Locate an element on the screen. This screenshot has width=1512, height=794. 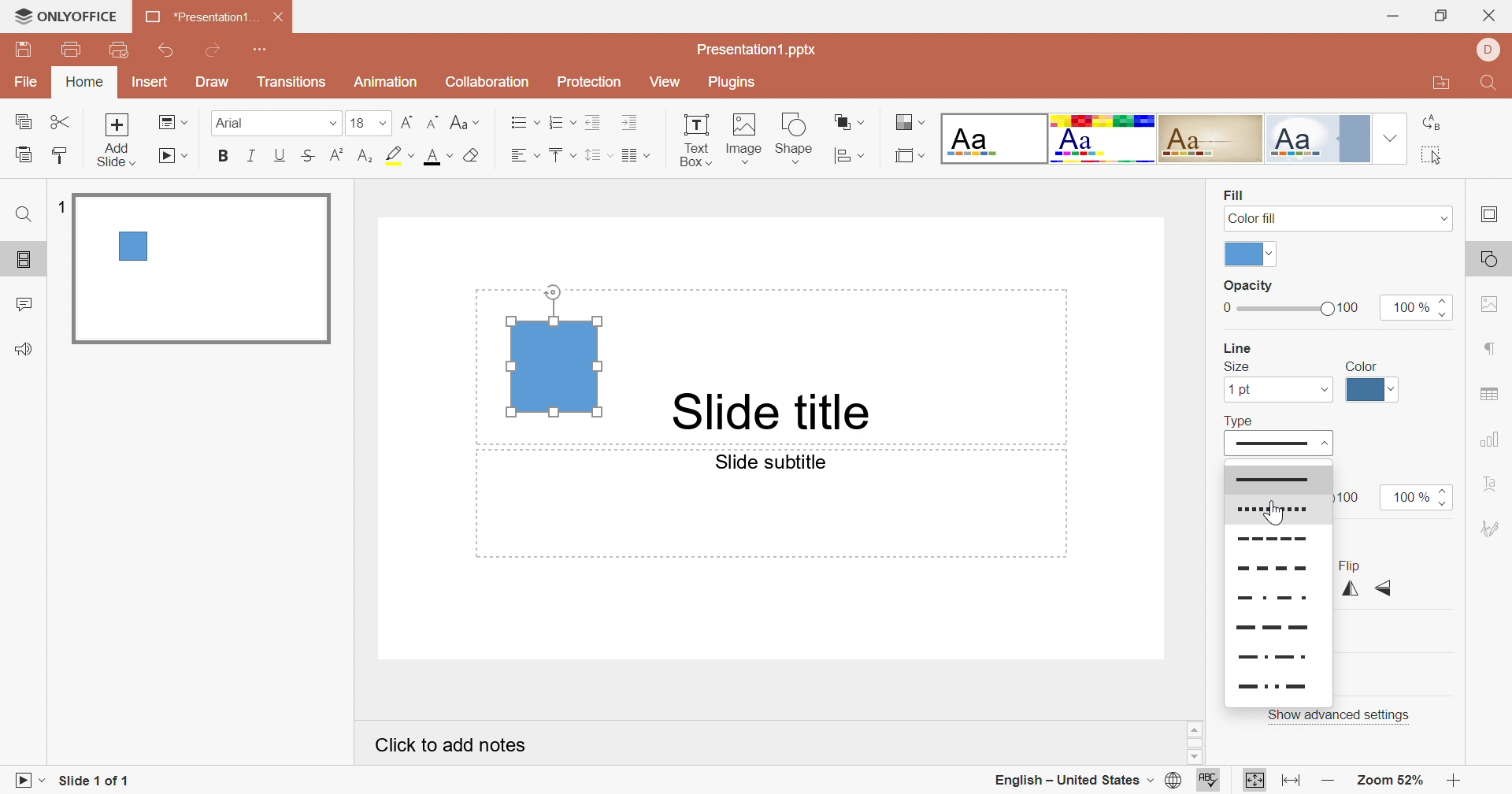
Start slideshow is located at coordinates (176, 157).